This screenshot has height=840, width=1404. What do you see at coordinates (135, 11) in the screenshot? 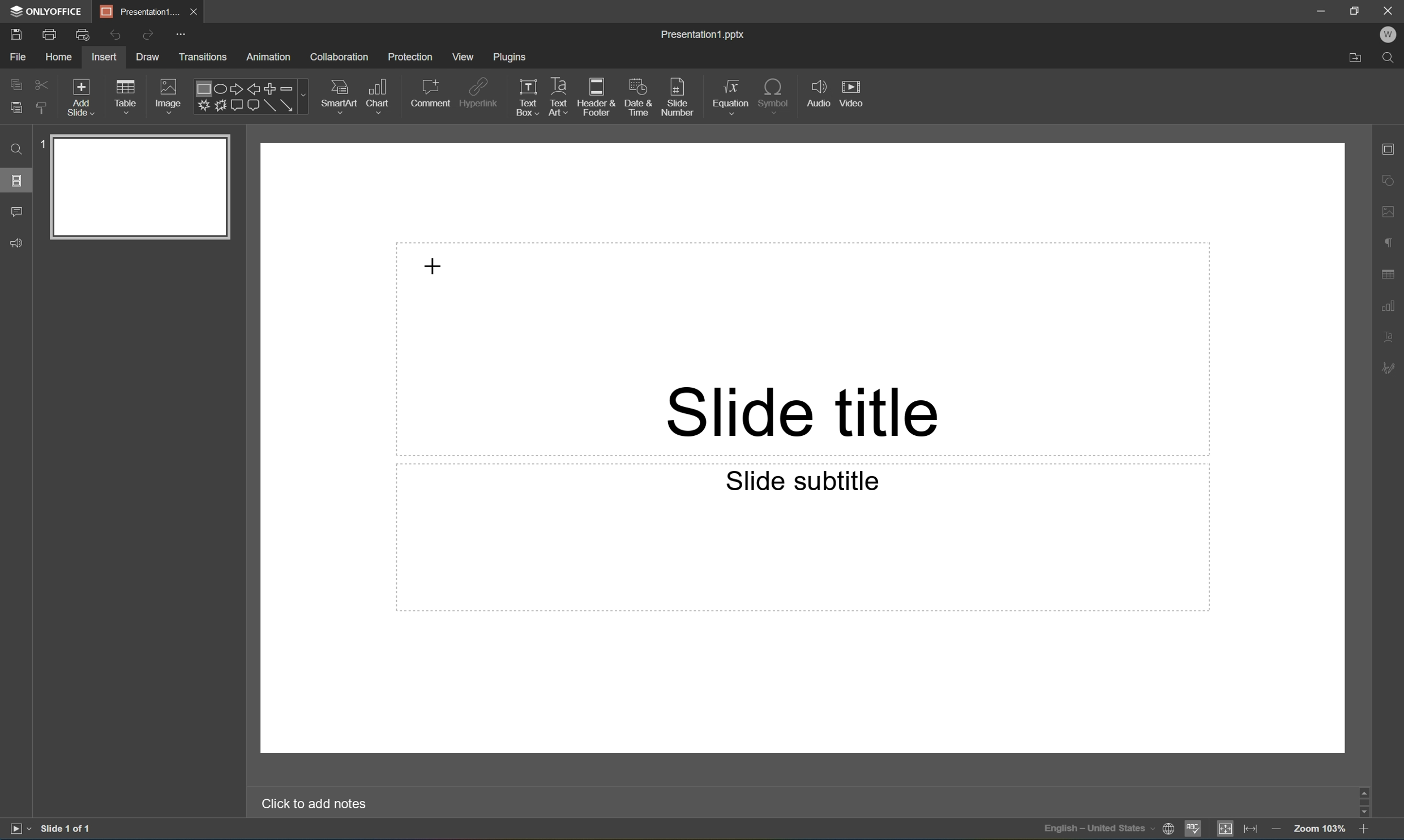
I see `Presentation1...` at bounding box center [135, 11].